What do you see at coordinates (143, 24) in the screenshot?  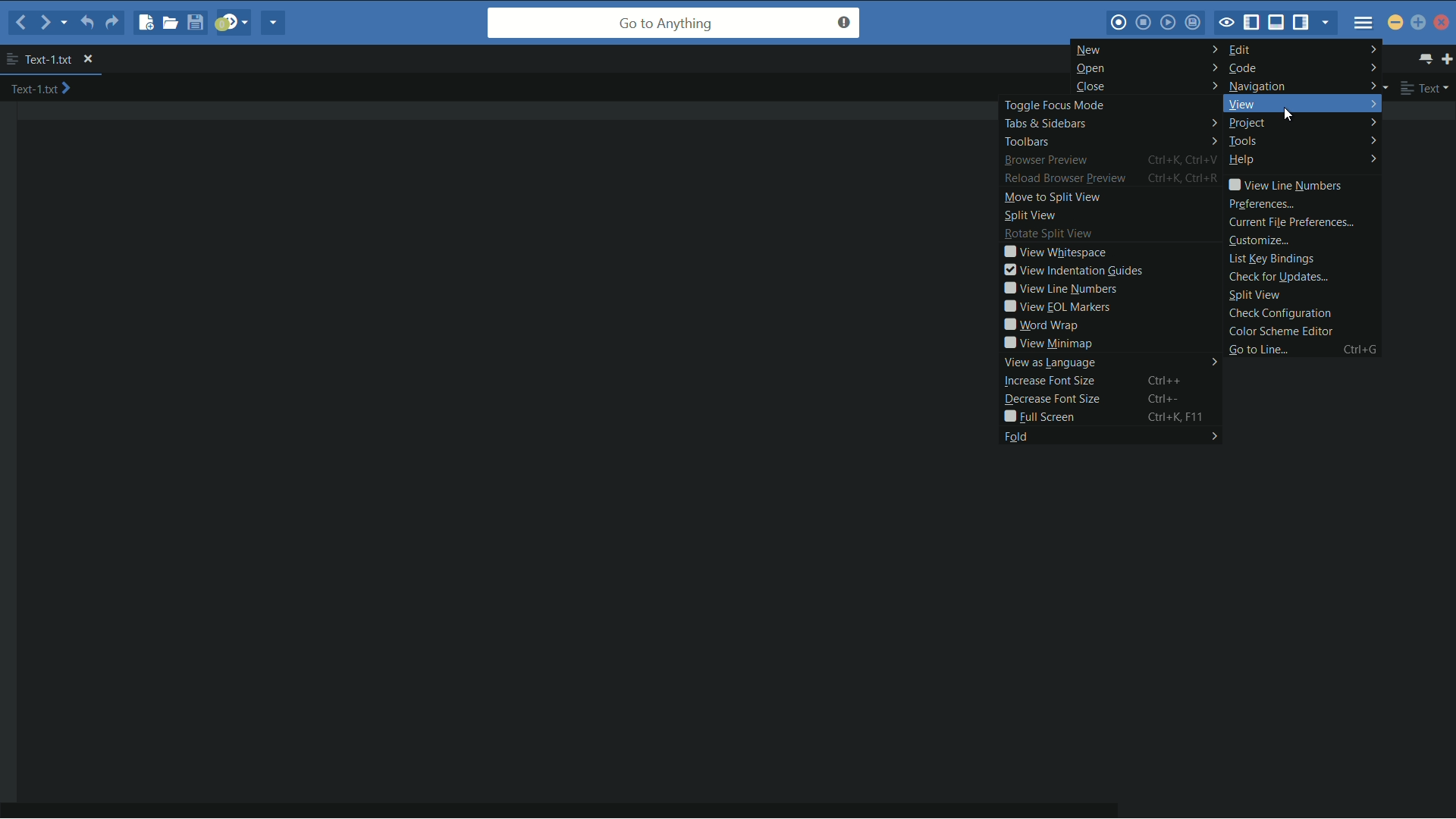 I see `new file` at bounding box center [143, 24].